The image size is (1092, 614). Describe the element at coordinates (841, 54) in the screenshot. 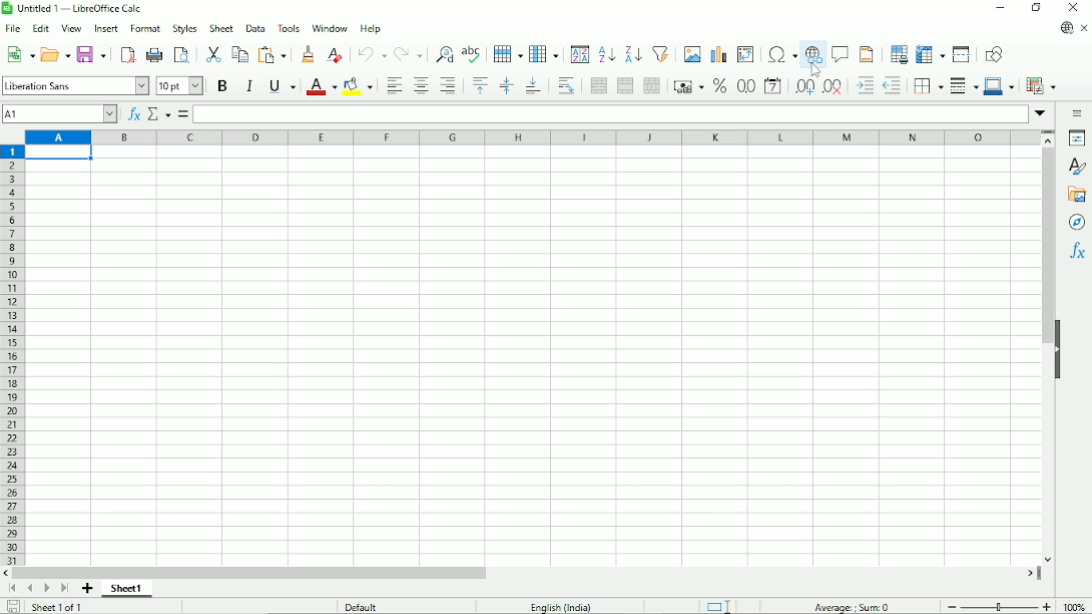

I see `Insert comment` at that location.